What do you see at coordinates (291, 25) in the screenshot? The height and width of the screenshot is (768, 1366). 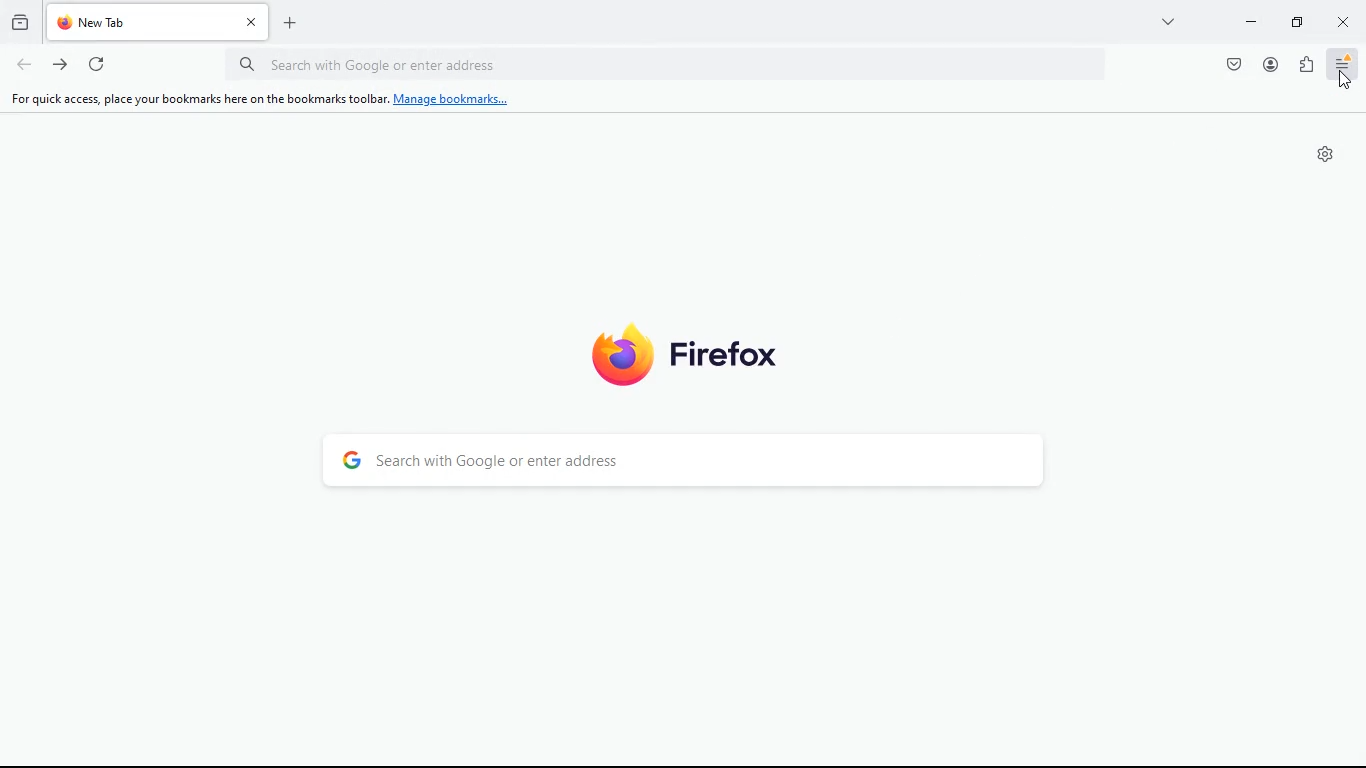 I see `add tab` at bounding box center [291, 25].